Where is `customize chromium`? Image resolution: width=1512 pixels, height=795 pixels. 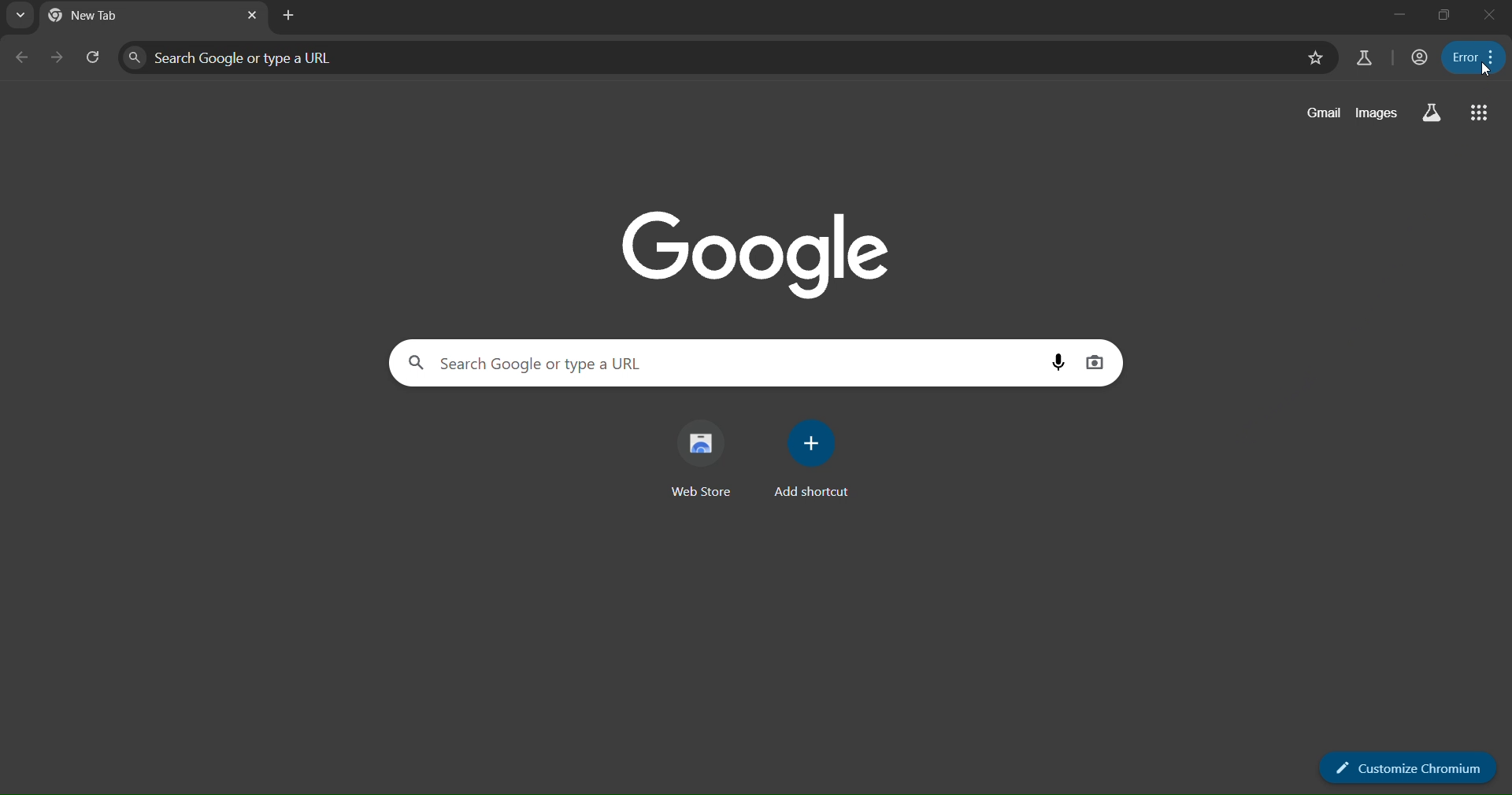 customize chromium is located at coordinates (1406, 767).